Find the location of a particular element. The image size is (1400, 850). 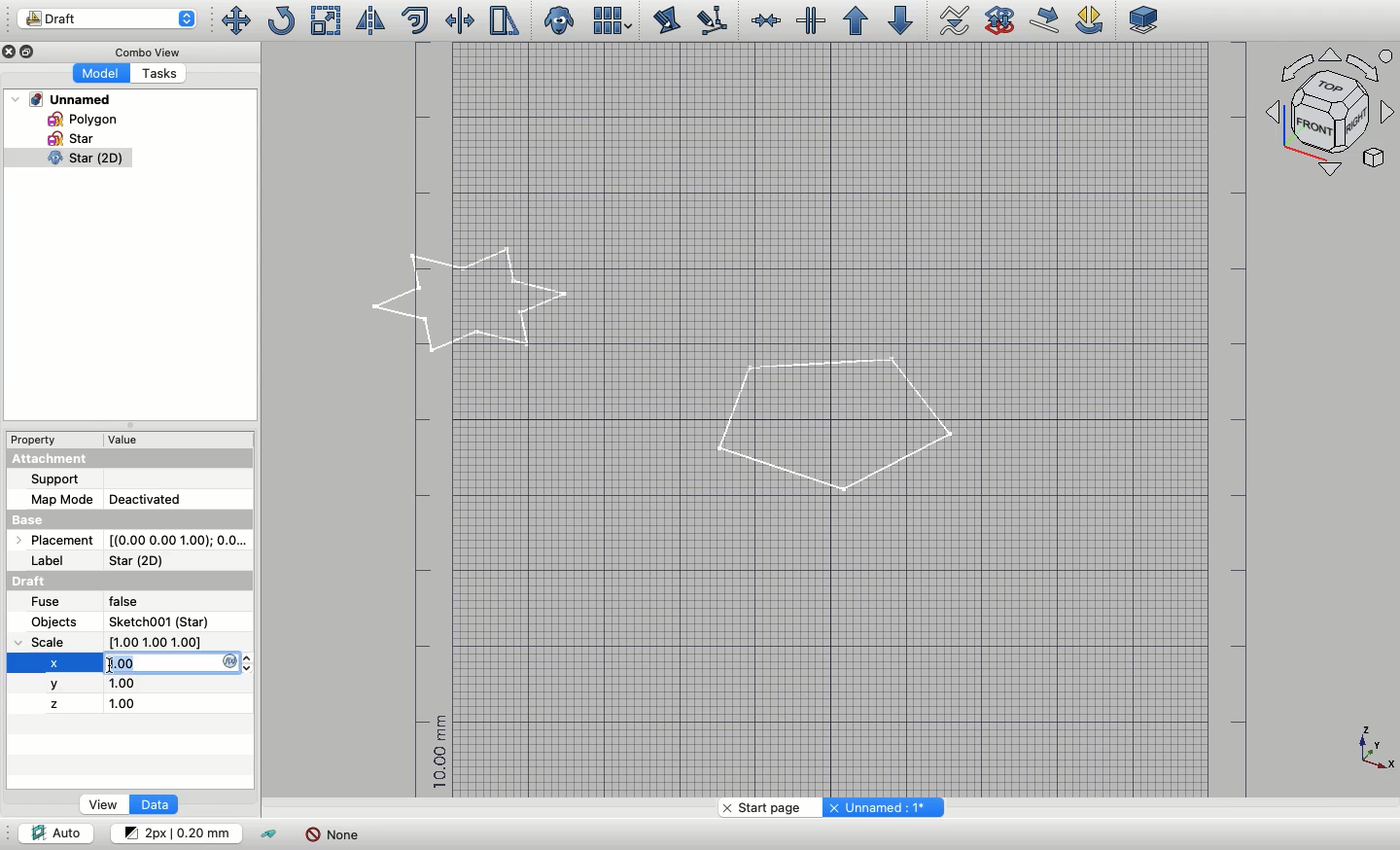

Placement is located at coordinates (54, 539).